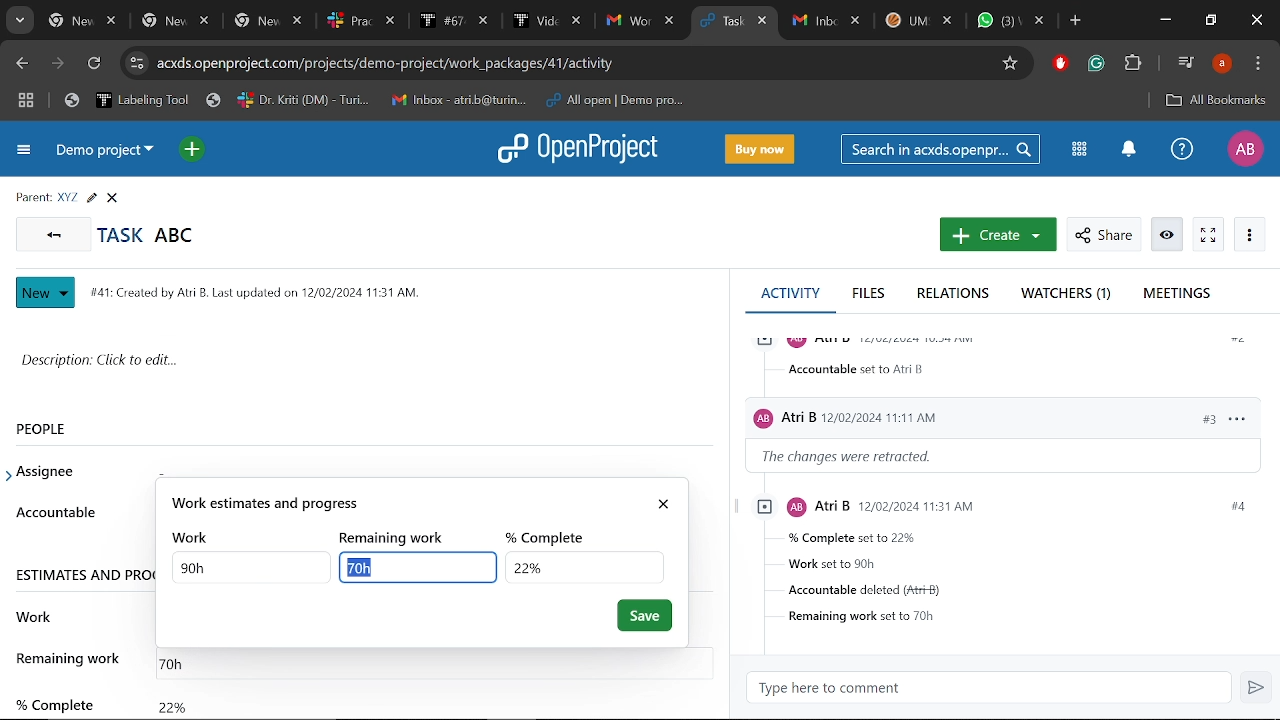 The image size is (1280, 720). Describe the element at coordinates (55, 512) in the screenshot. I see `accountable` at that location.